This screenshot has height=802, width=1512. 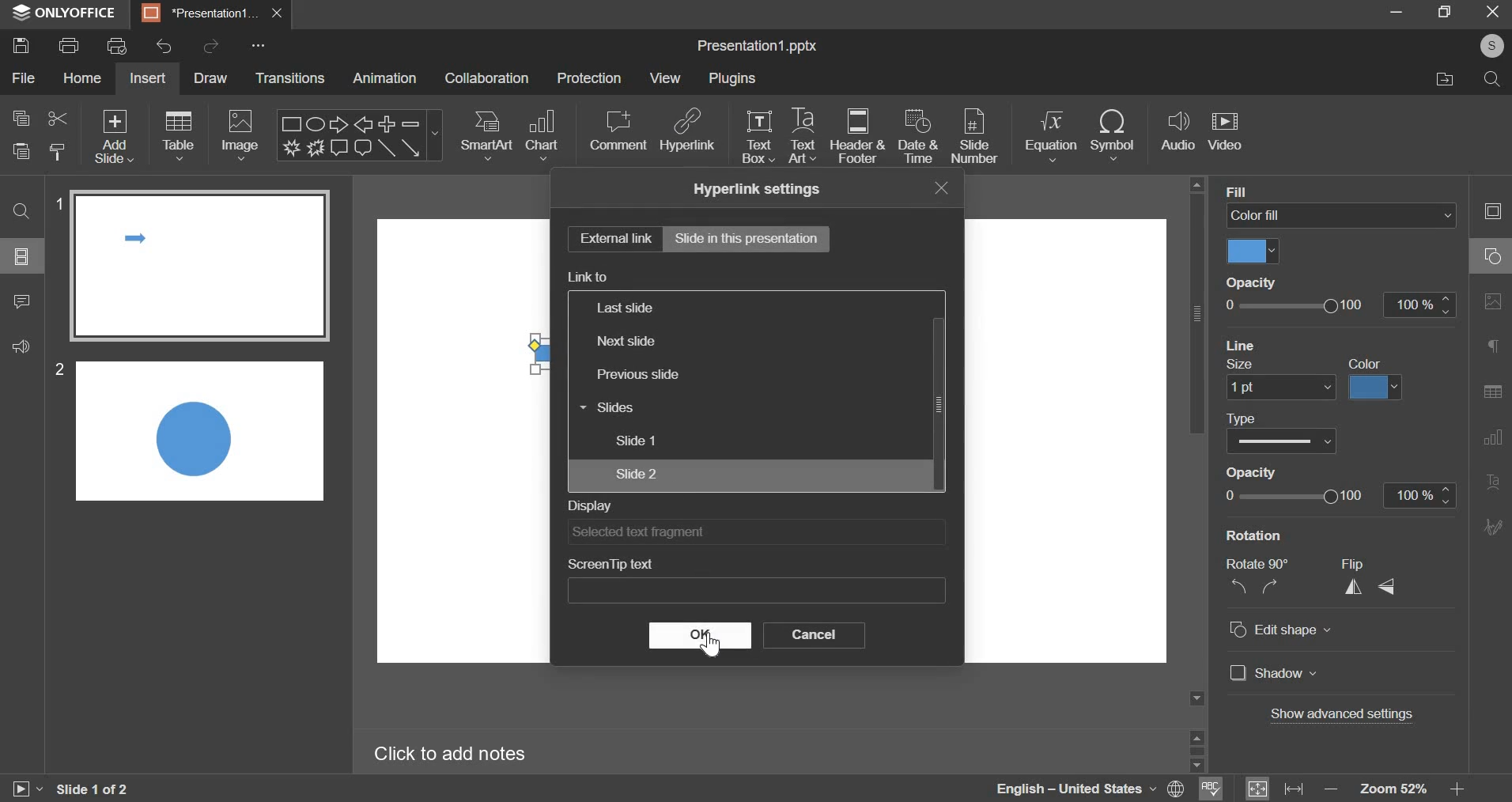 I want to click on Explosion 1, so click(x=290, y=147).